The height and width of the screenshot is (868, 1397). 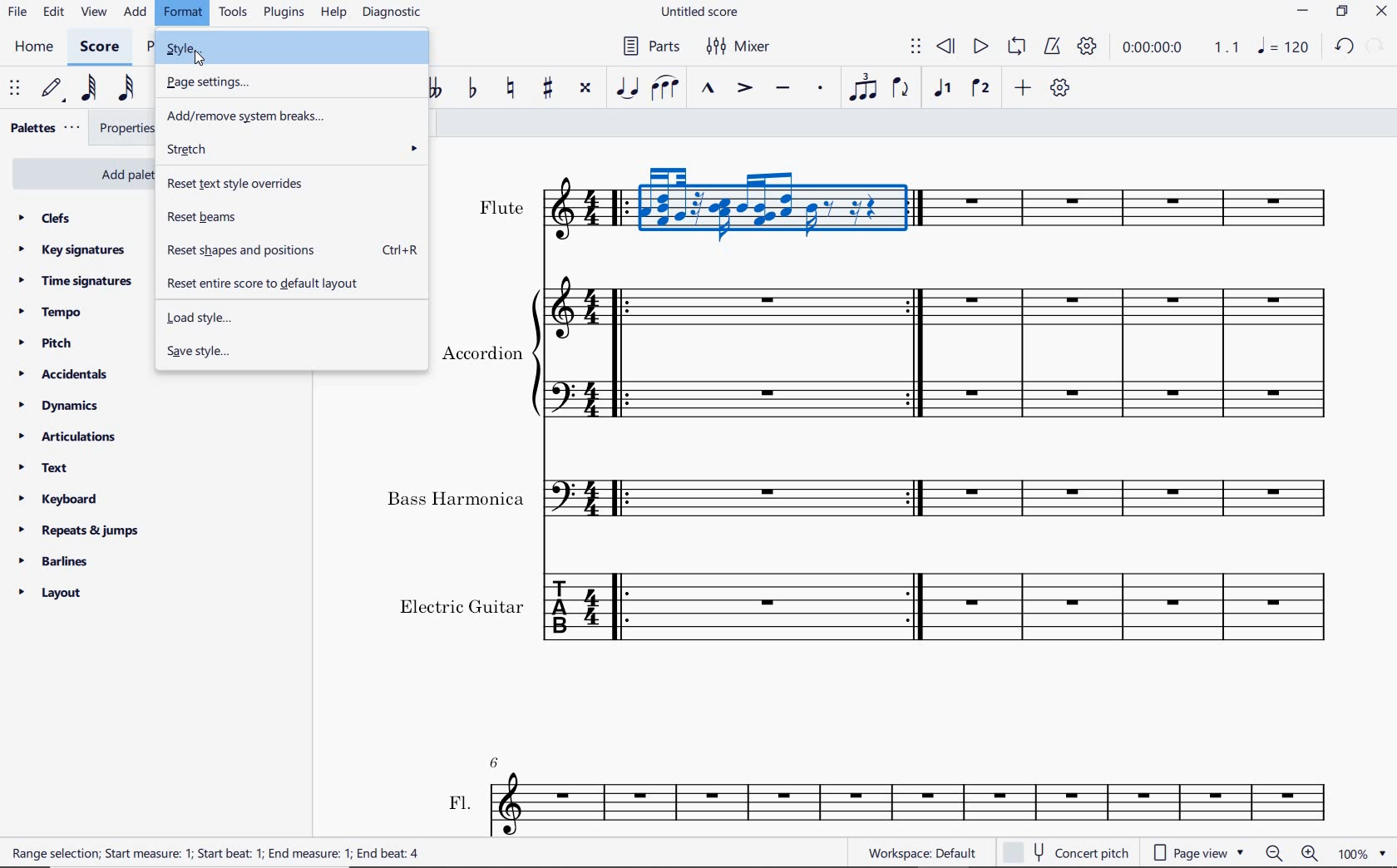 I want to click on cursor, so click(x=203, y=58).